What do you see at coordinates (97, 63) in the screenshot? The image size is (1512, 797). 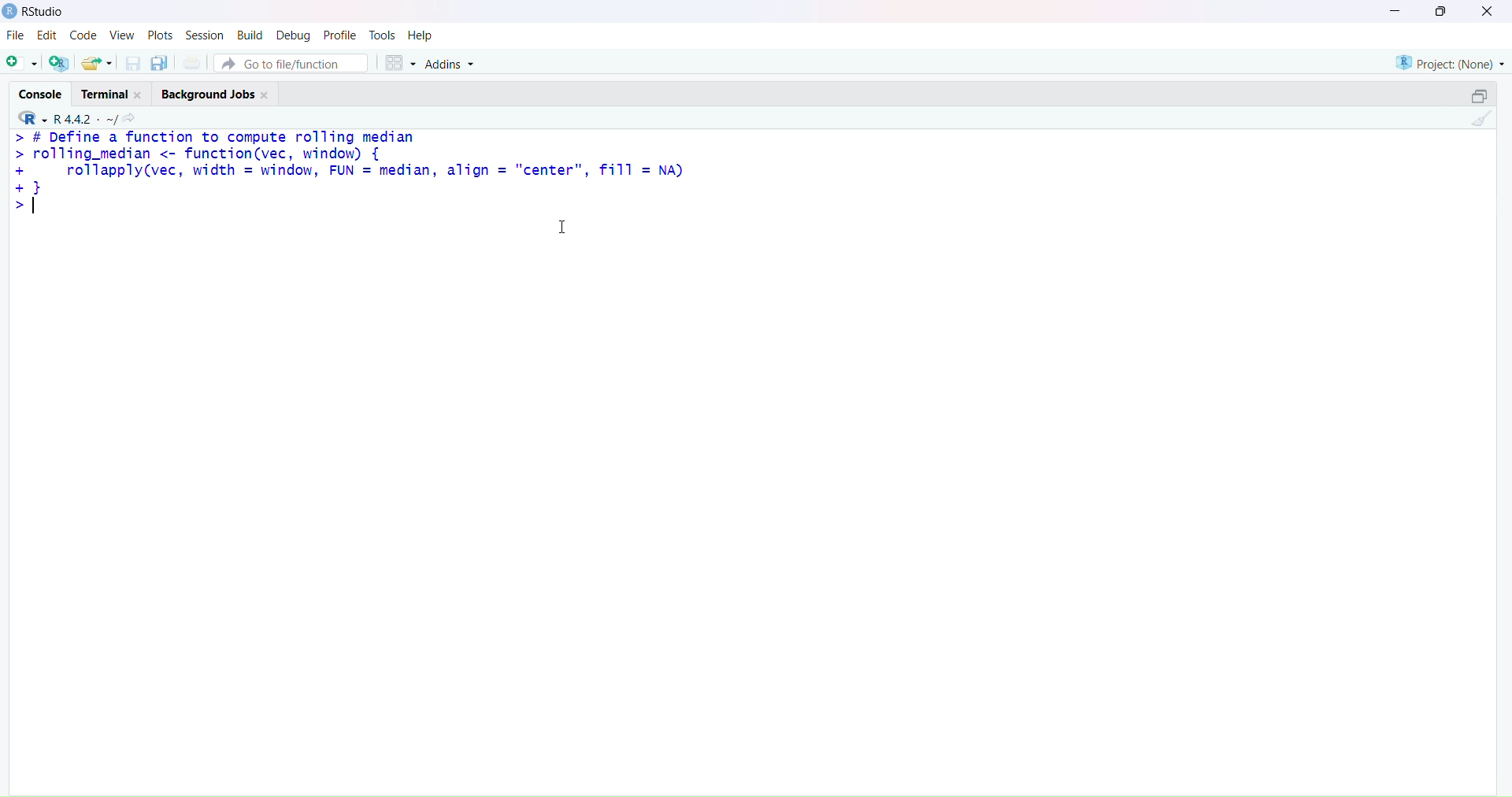 I see `share folder as` at bounding box center [97, 63].